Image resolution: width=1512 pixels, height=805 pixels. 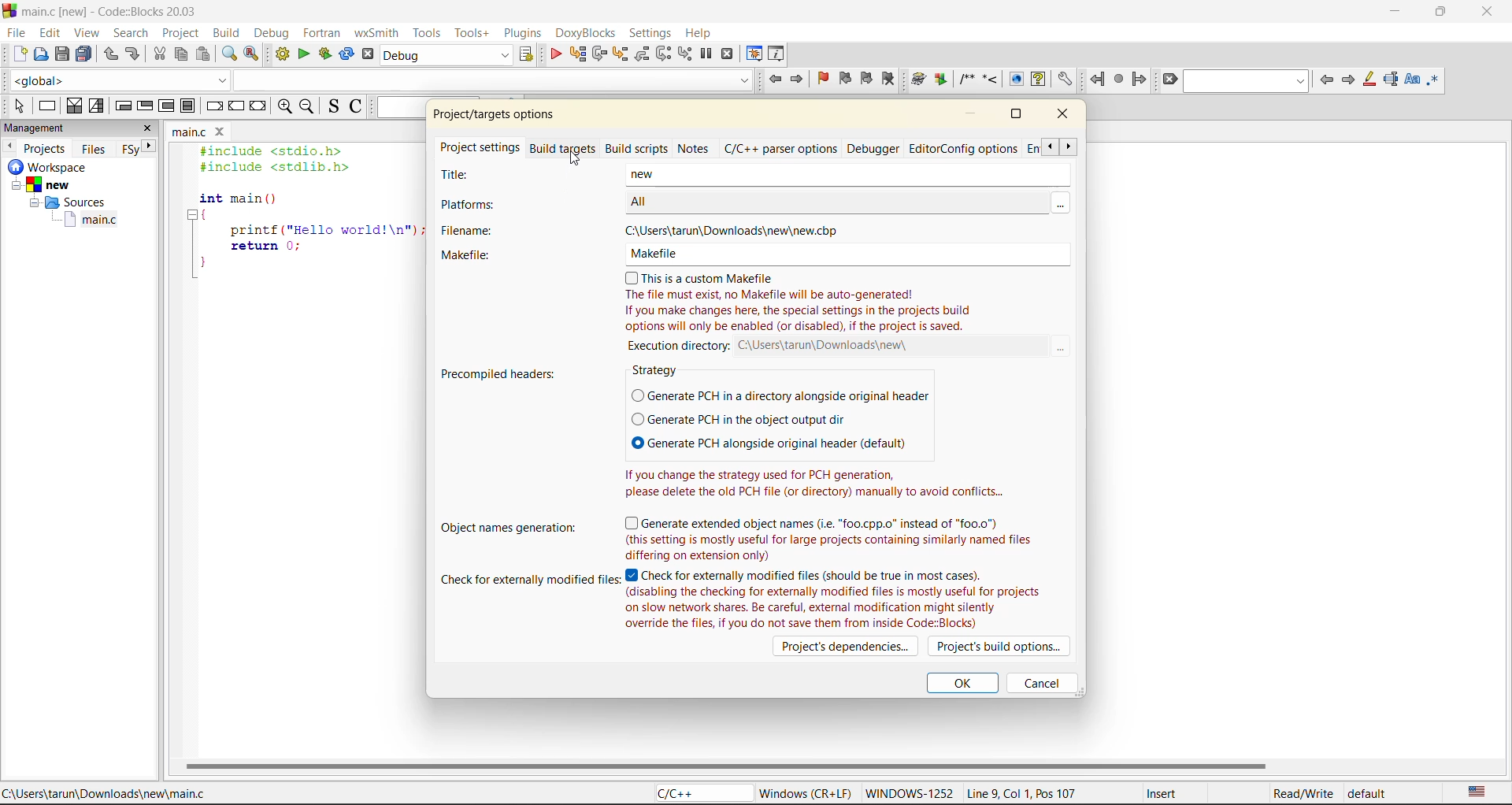 I want to click on build and run, so click(x=324, y=55).